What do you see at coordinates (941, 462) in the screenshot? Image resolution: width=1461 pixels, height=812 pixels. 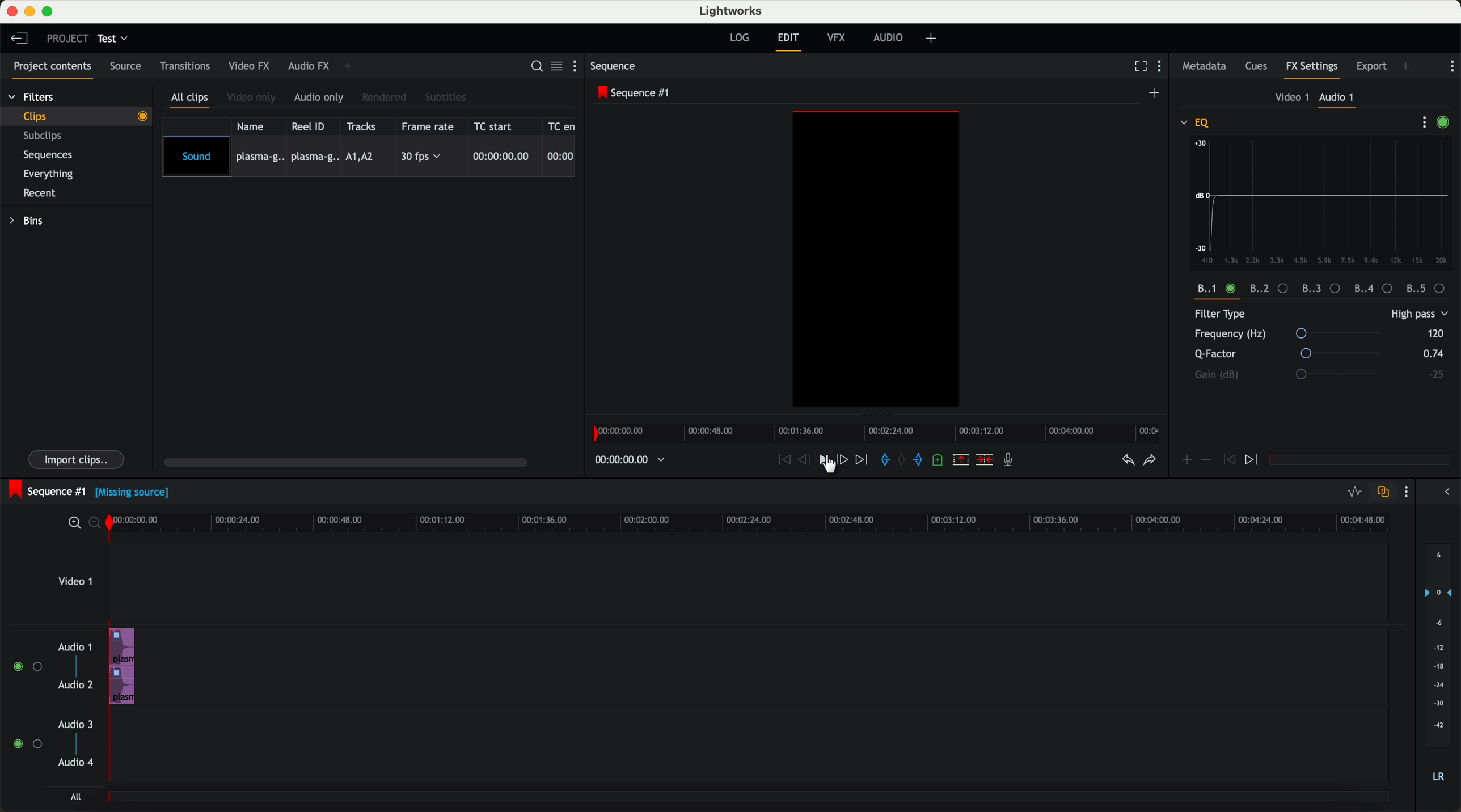 I see `add a cue at the current position` at bounding box center [941, 462].